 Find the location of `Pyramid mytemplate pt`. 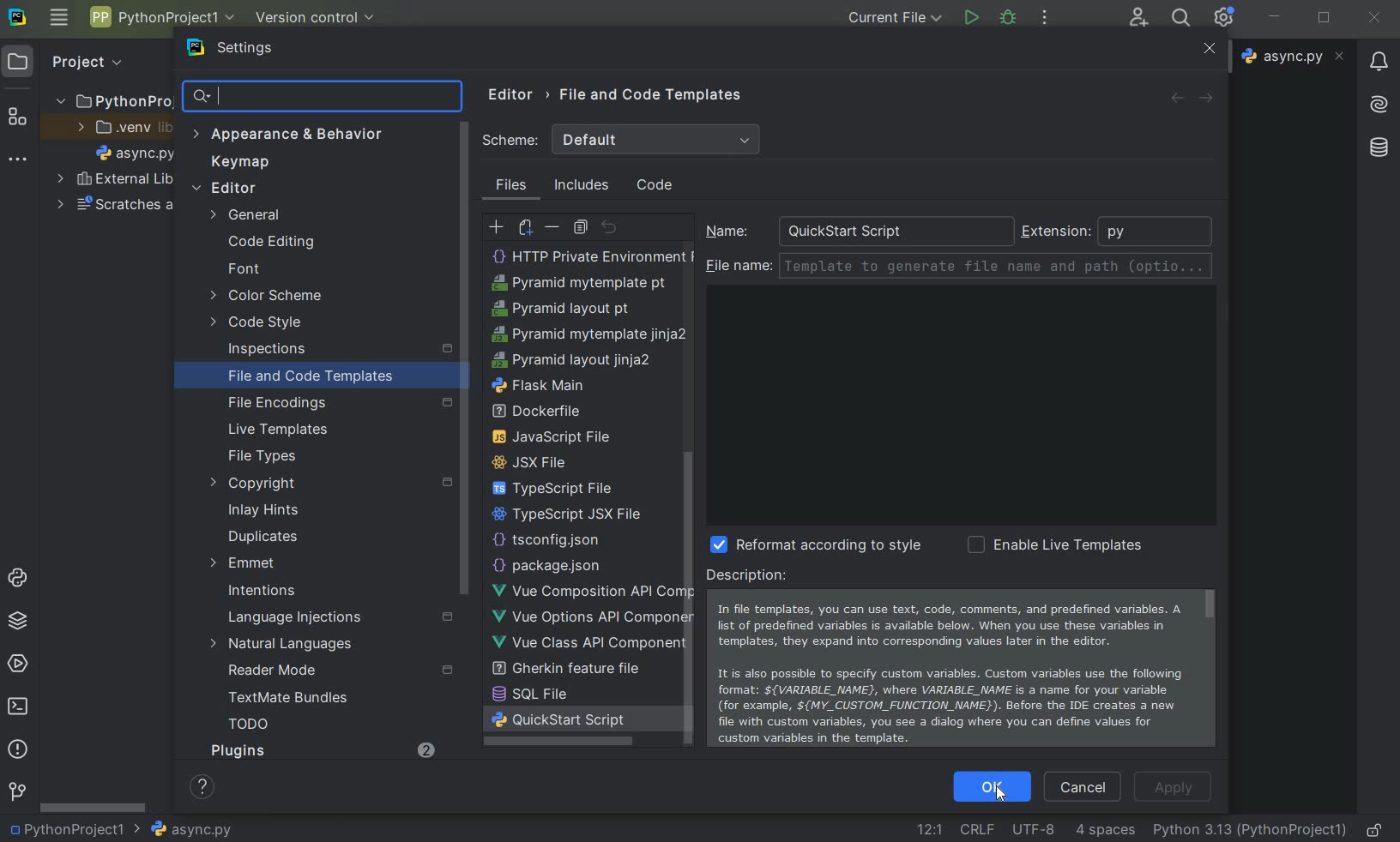

Pyramid mytemplate pt is located at coordinates (582, 642).